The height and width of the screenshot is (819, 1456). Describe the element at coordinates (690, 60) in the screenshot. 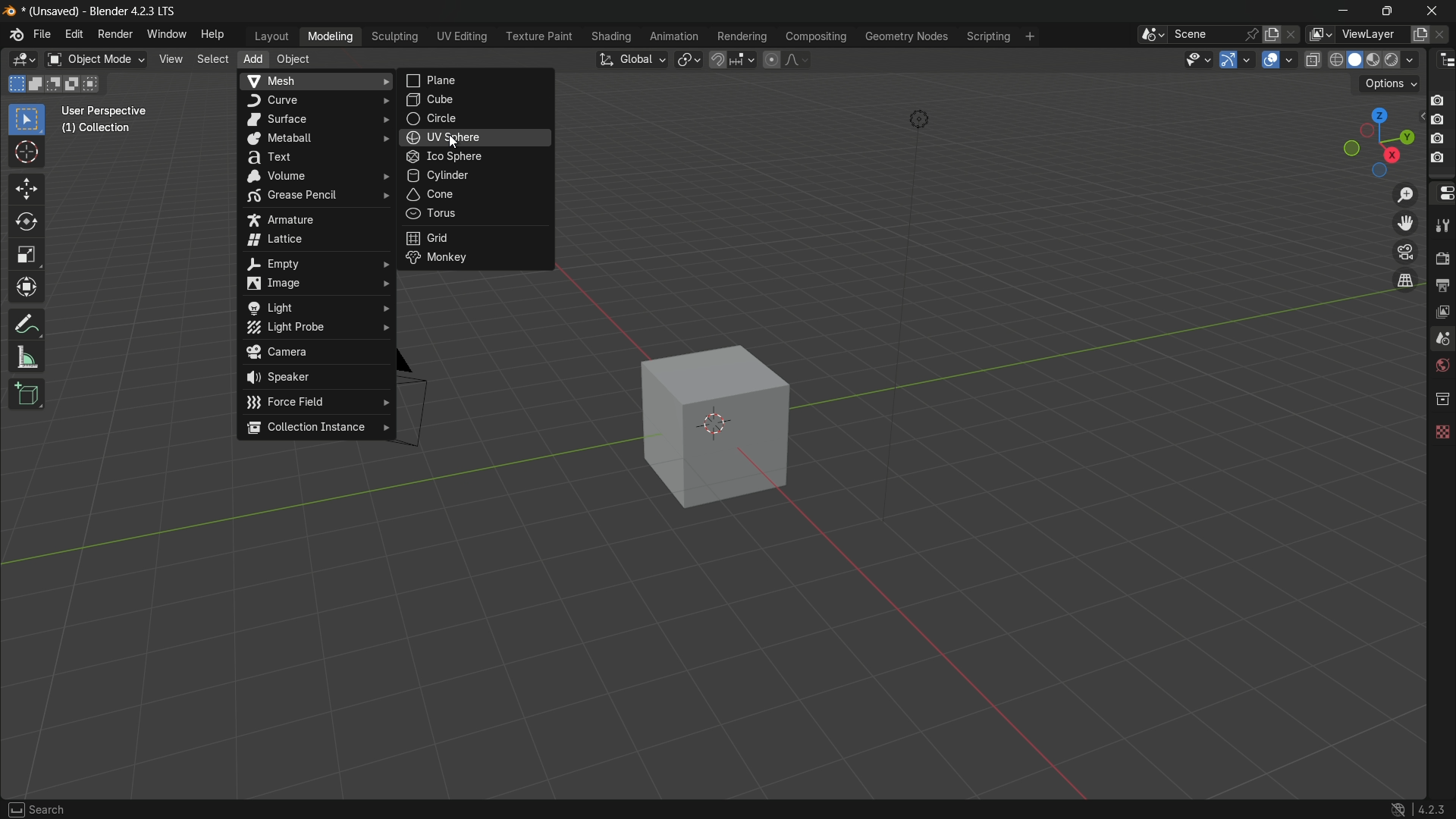

I see `transform pivot table` at that location.